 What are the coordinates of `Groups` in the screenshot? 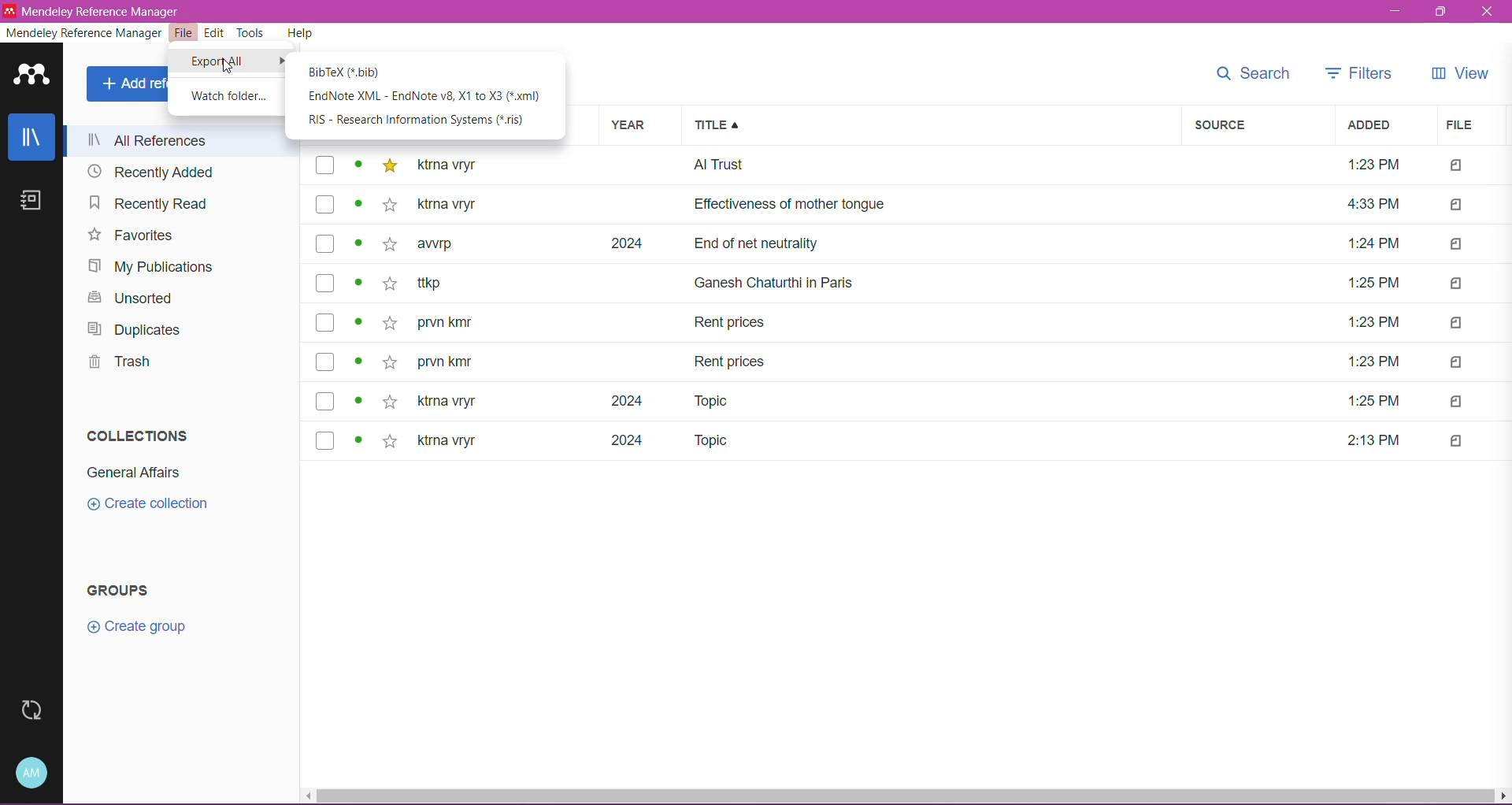 It's located at (116, 589).